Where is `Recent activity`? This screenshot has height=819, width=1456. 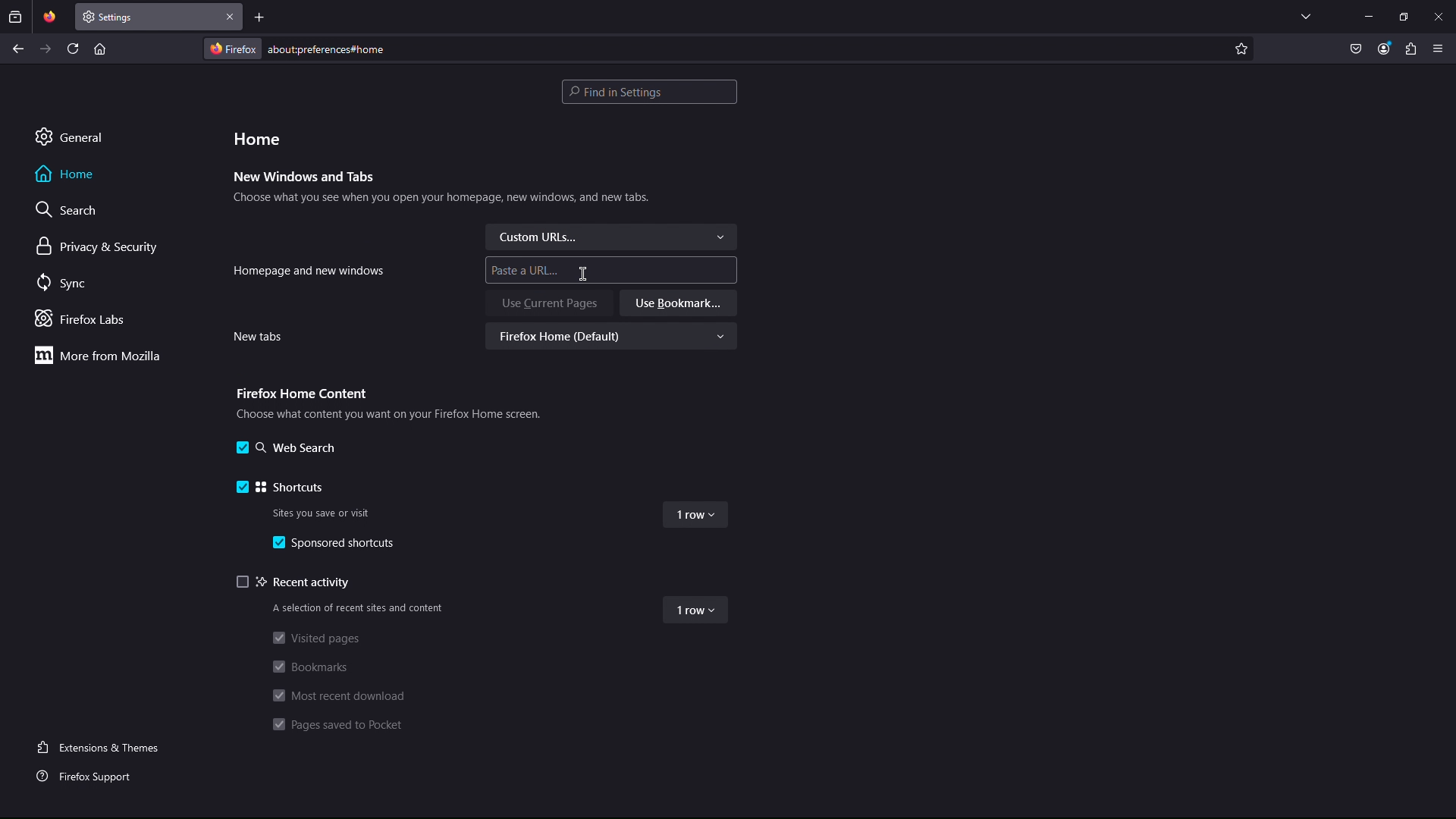 Recent activity is located at coordinates (297, 582).